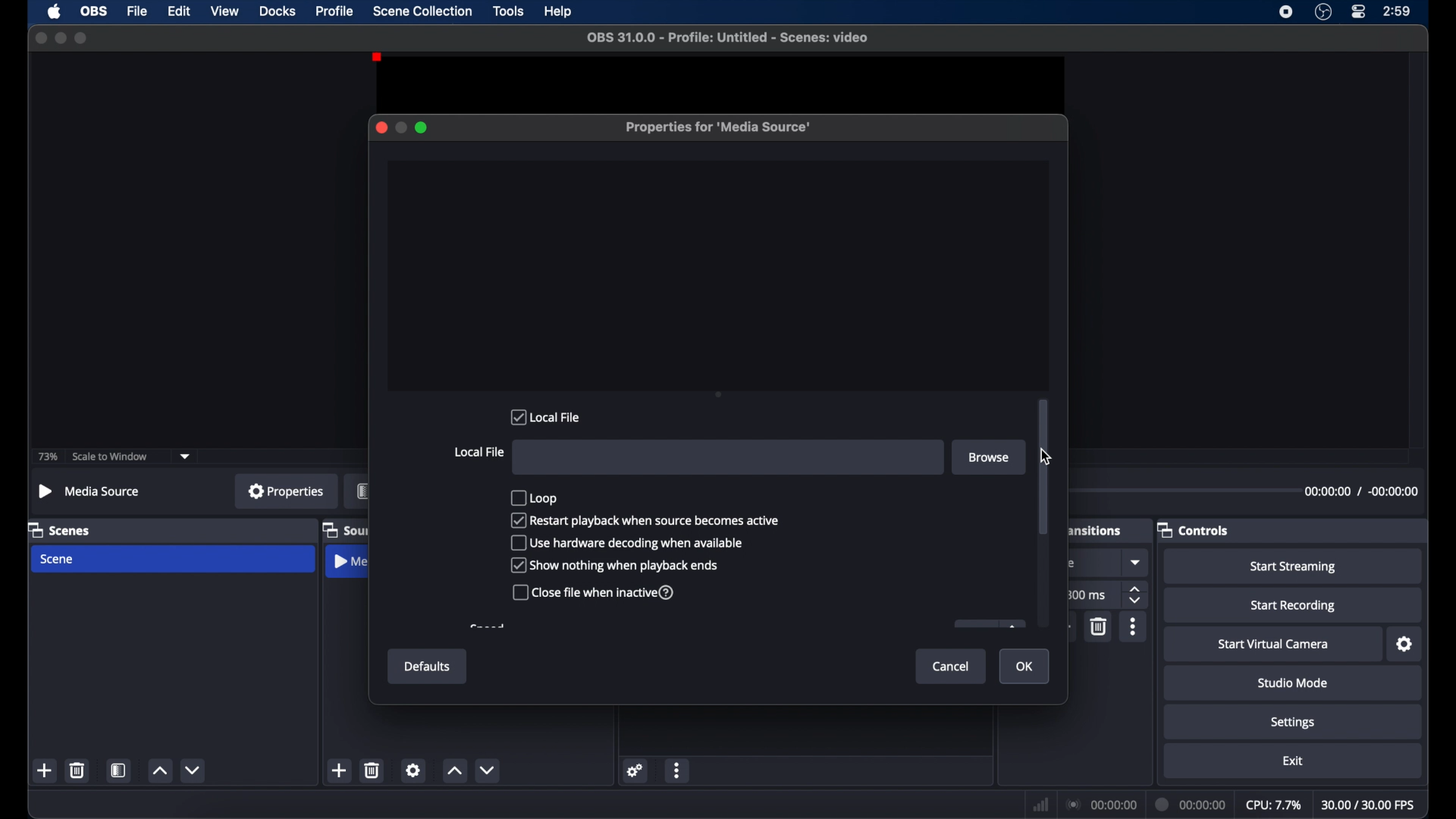 The height and width of the screenshot is (819, 1456). I want to click on settings, so click(413, 770).